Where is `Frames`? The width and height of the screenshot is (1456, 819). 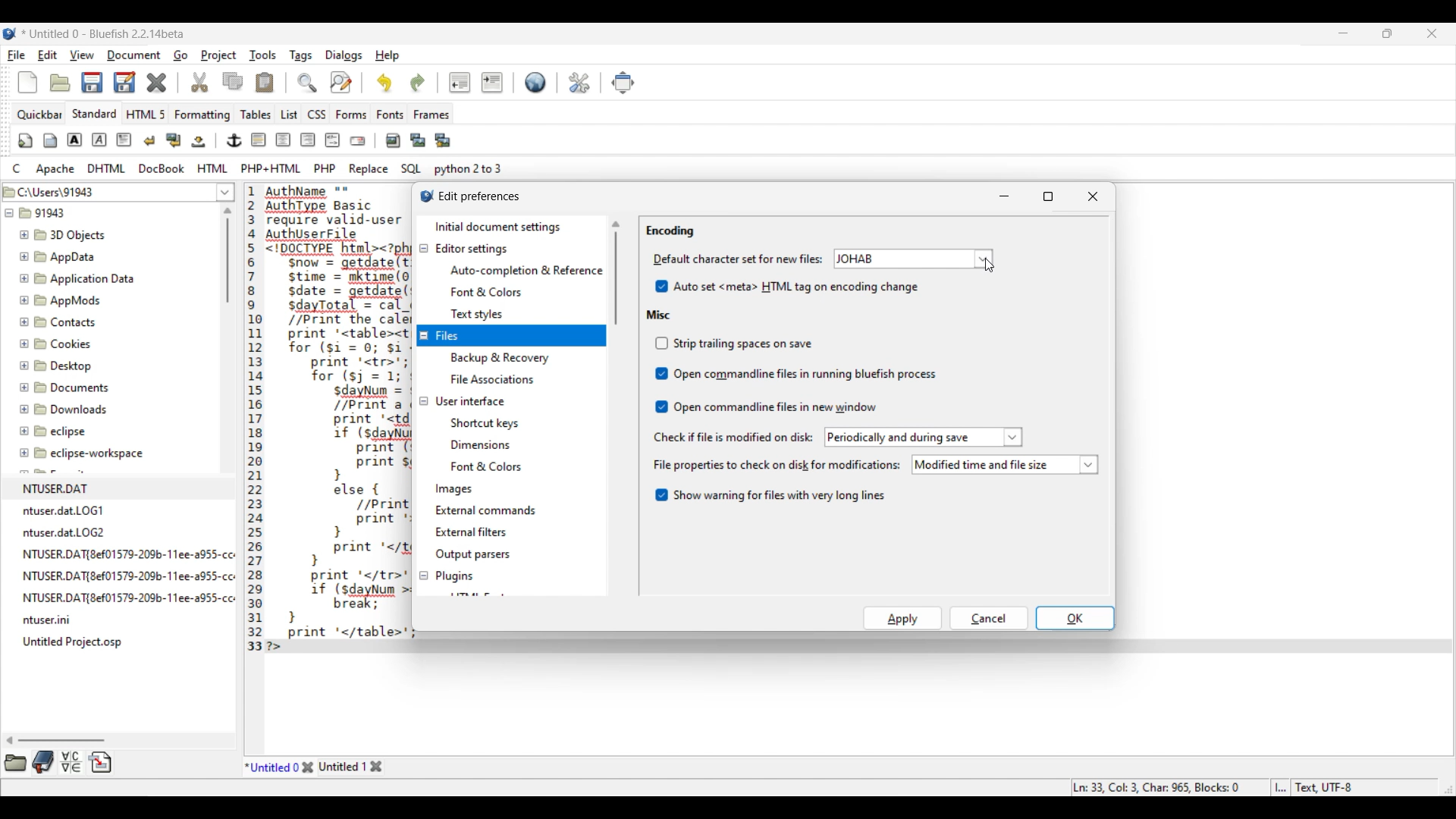 Frames is located at coordinates (432, 115).